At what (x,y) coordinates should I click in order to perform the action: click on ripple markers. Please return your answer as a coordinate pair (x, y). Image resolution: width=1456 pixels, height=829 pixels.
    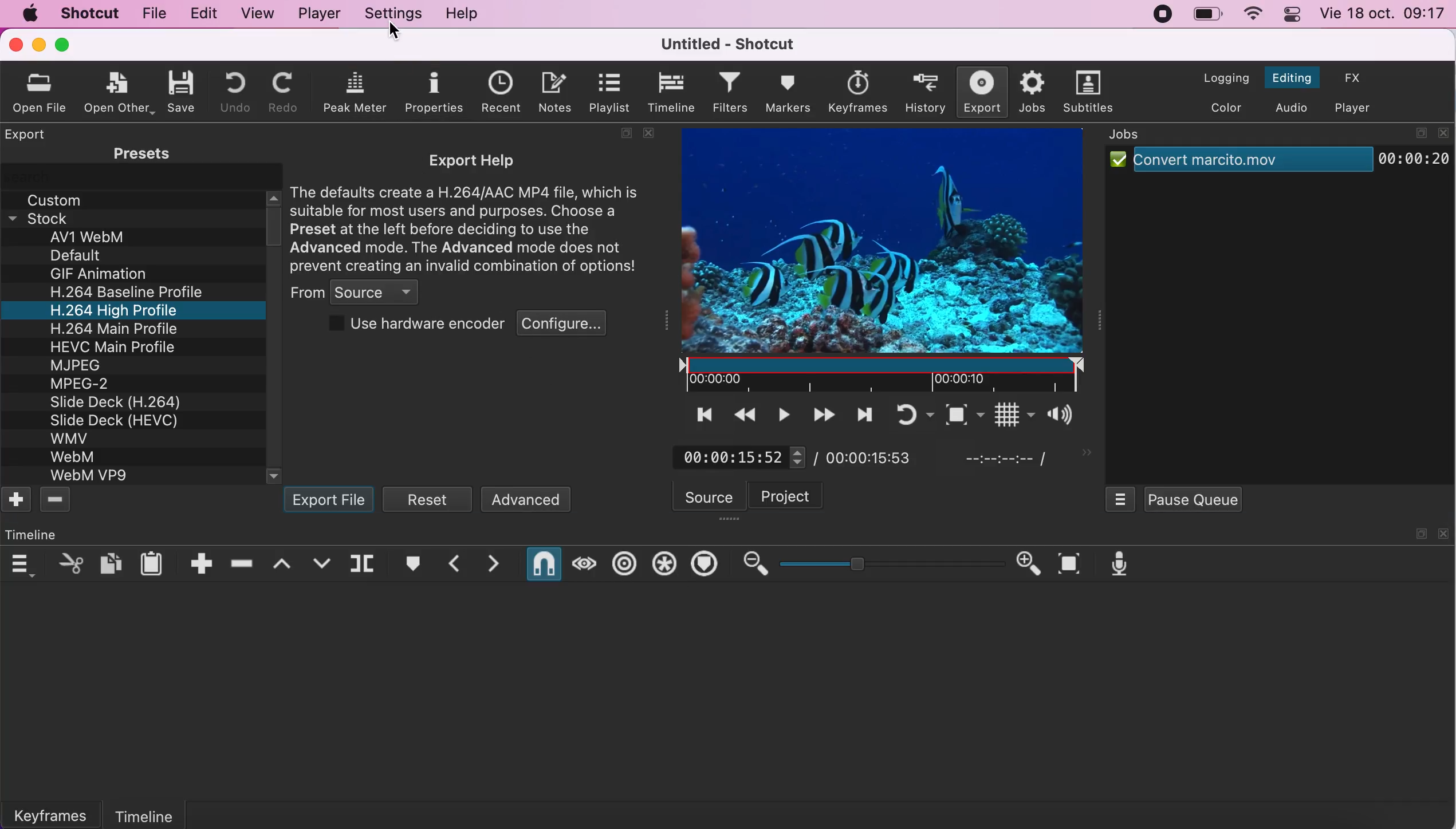
    Looking at the image, I should click on (705, 564).